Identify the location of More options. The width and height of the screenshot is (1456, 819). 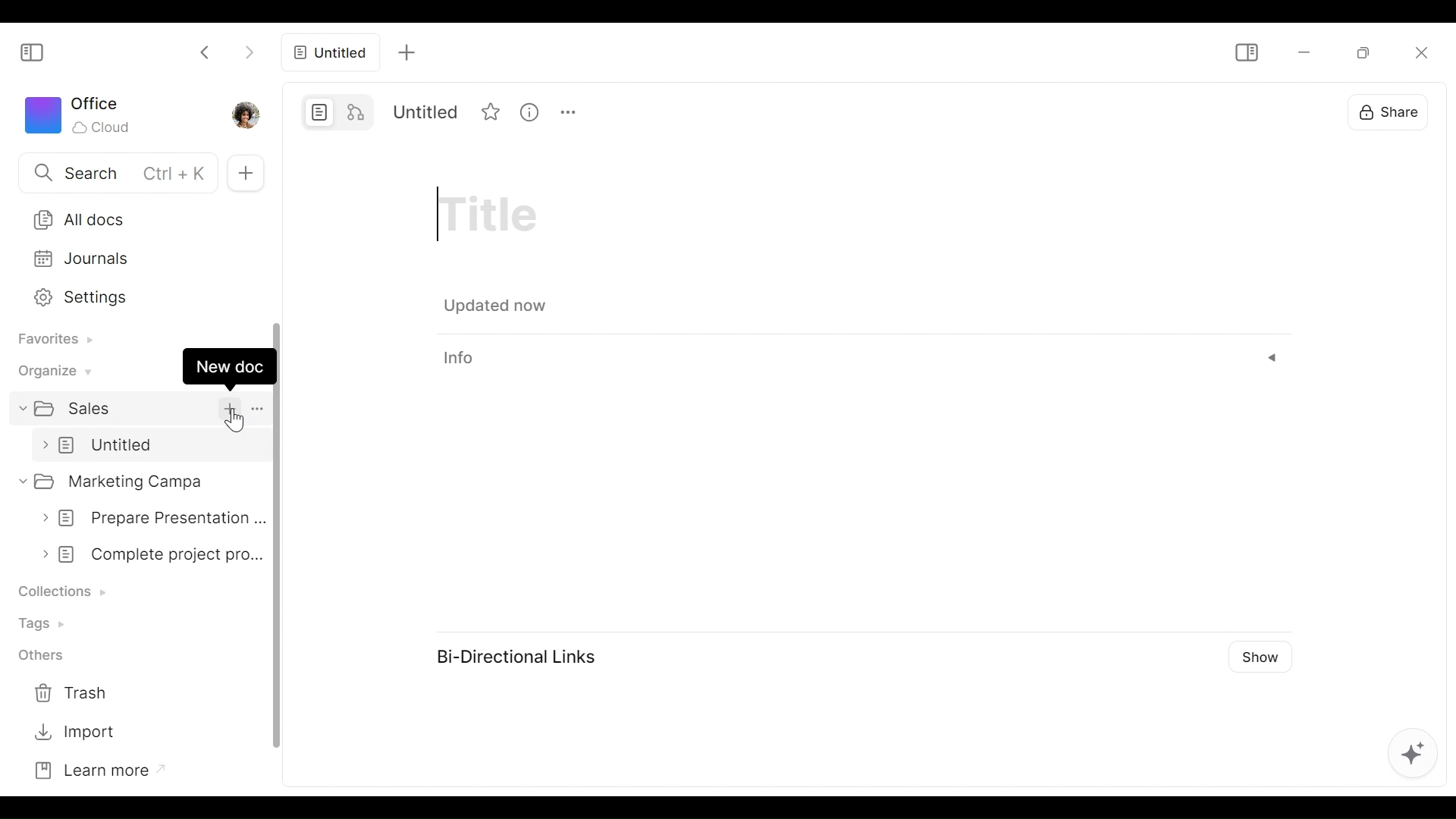
(571, 112).